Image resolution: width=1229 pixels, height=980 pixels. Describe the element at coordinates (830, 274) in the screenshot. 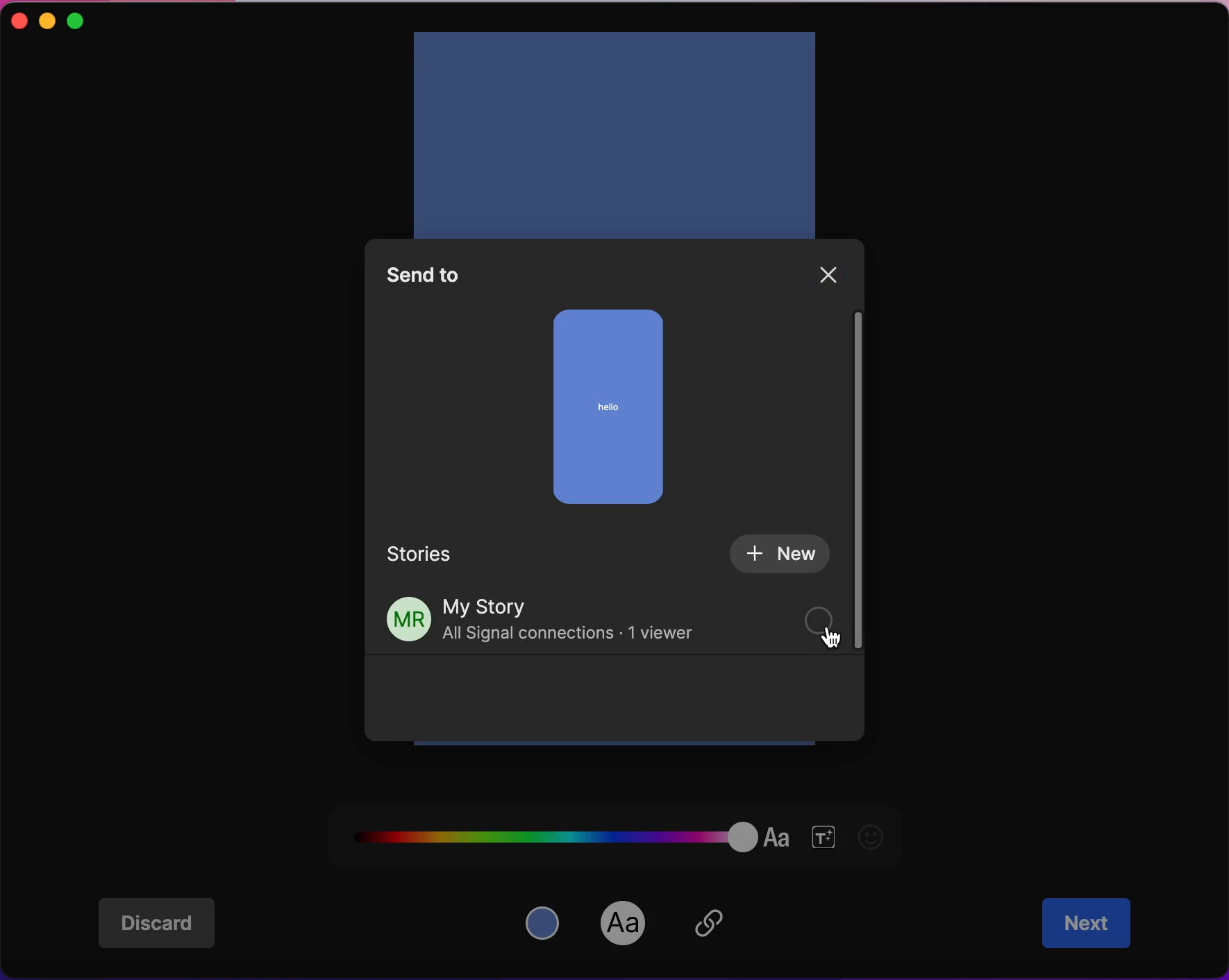

I see `close` at that location.